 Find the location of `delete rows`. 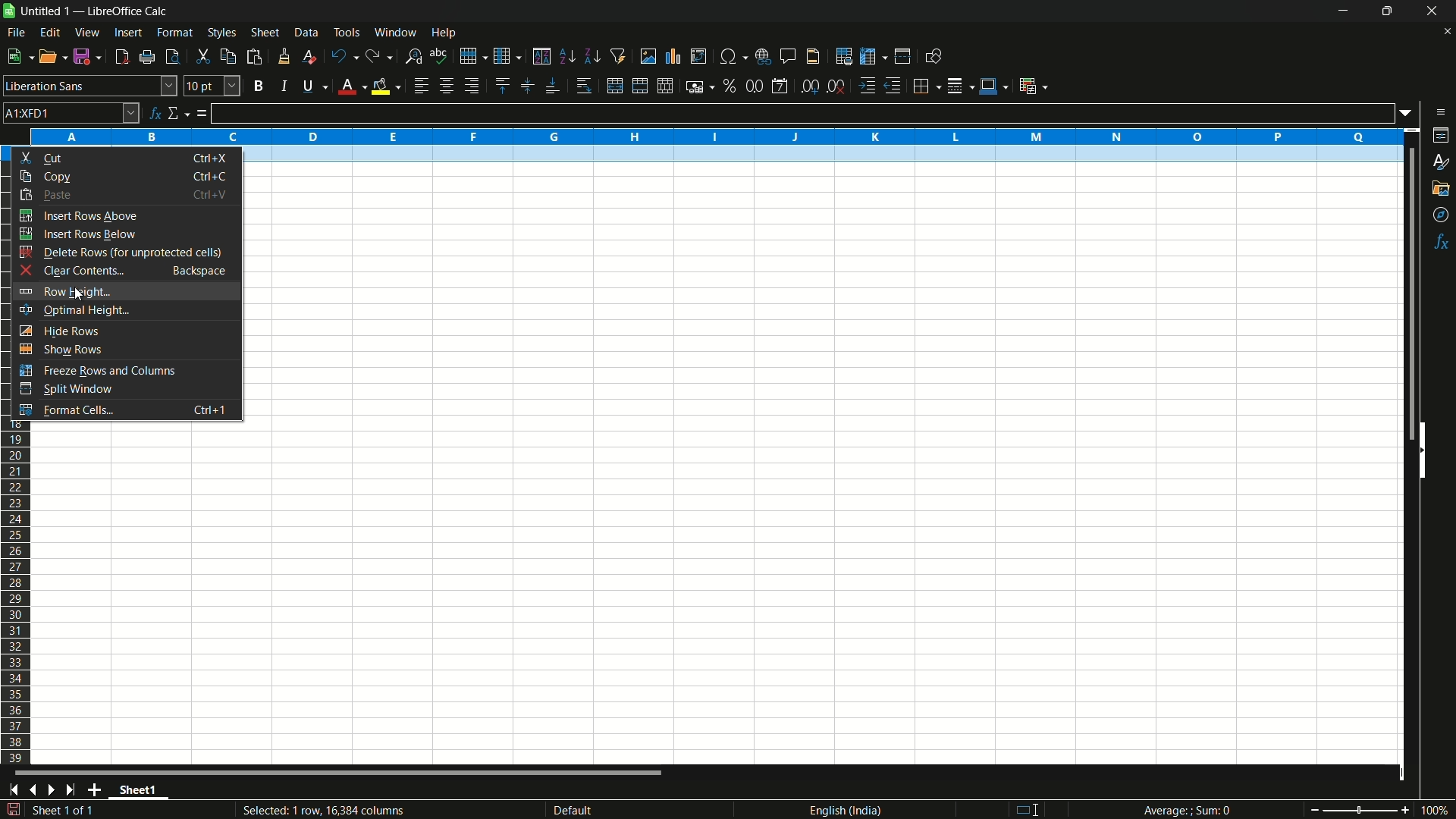

delete rows is located at coordinates (126, 252).